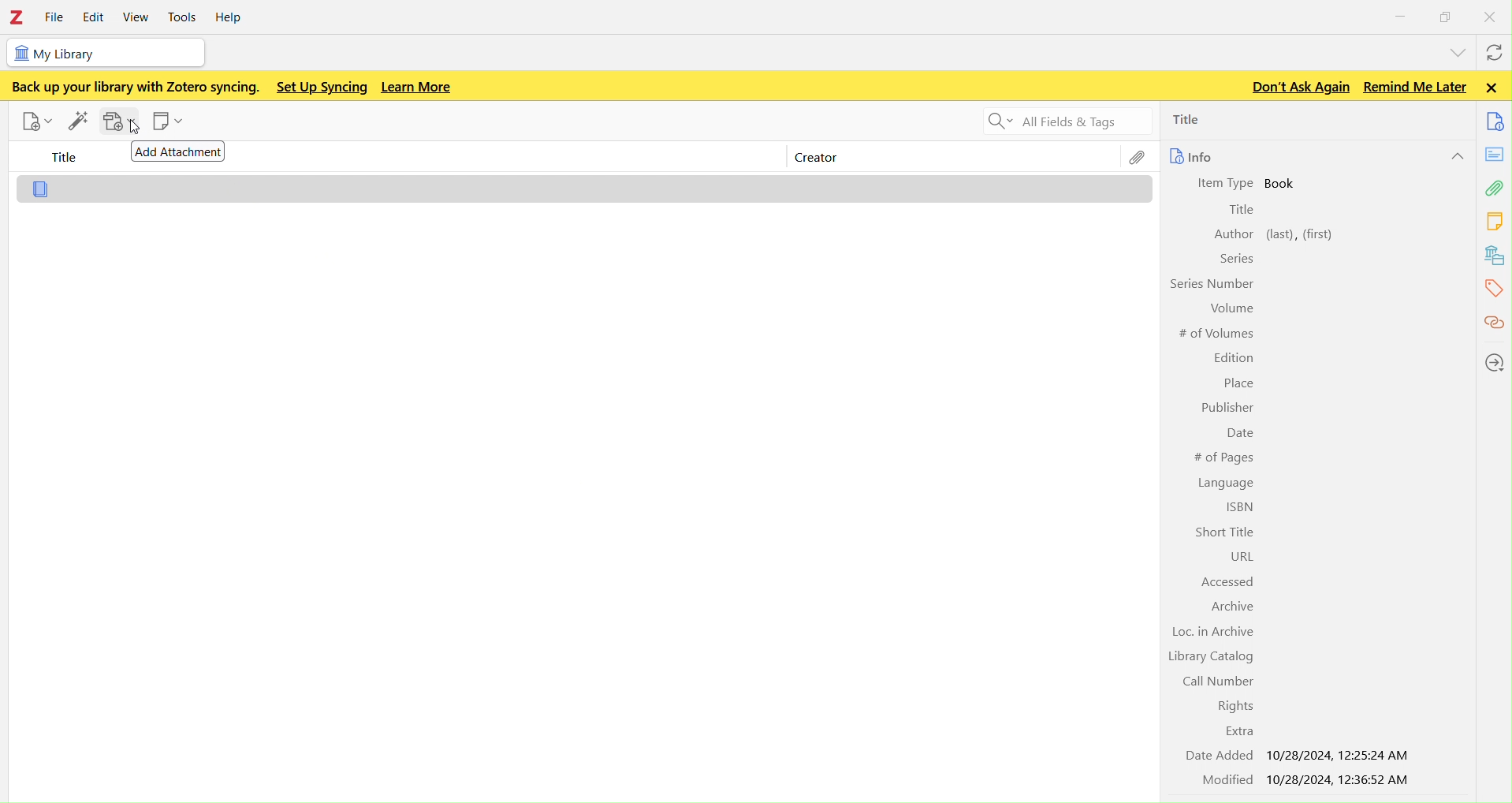 Image resolution: width=1512 pixels, height=803 pixels. Describe the element at coordinates (1229, 581) in the screenshot. I see `Accessed` at that location.